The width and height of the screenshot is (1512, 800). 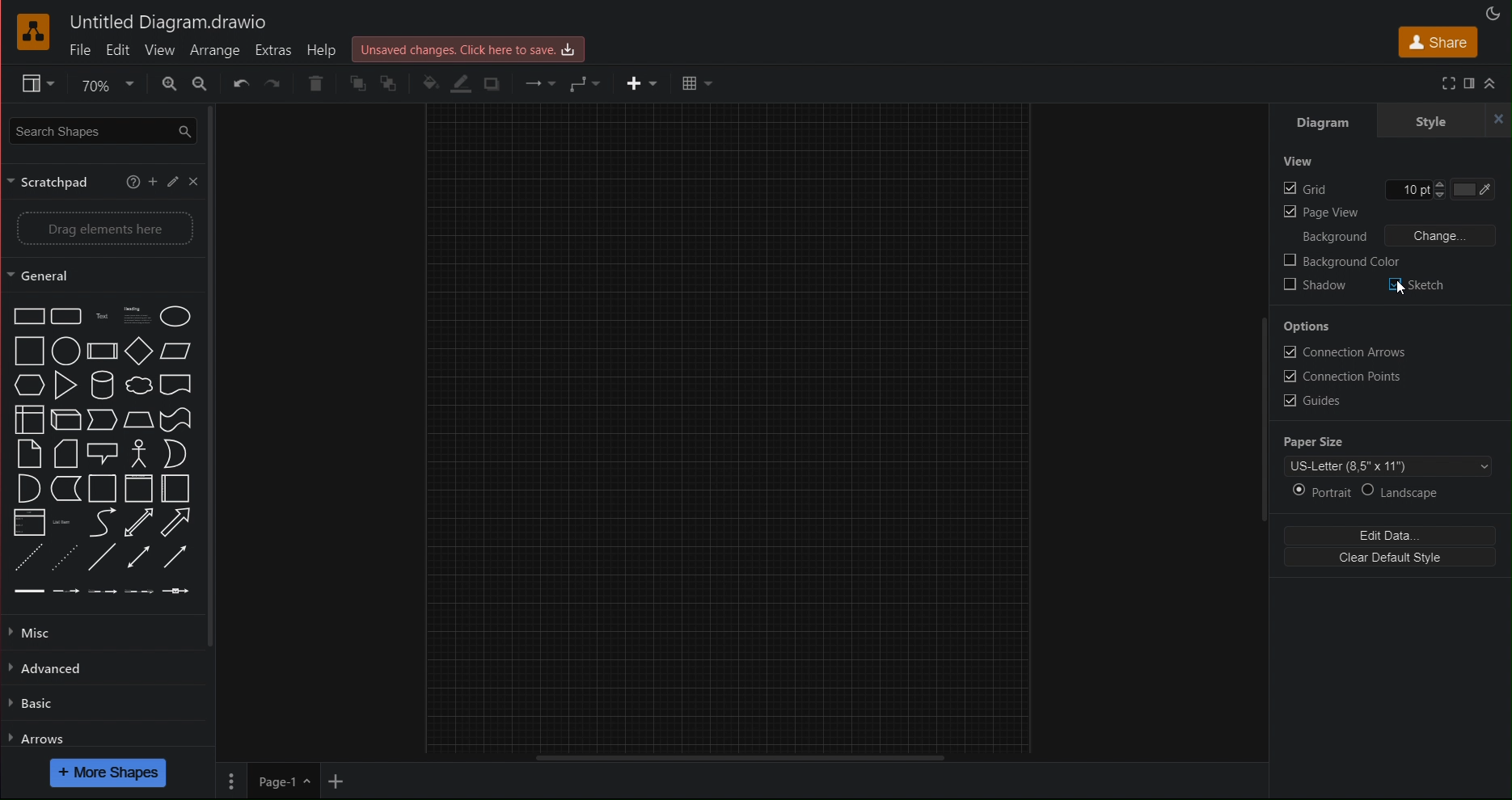 I want to click on list, so click(x=30, y=524).